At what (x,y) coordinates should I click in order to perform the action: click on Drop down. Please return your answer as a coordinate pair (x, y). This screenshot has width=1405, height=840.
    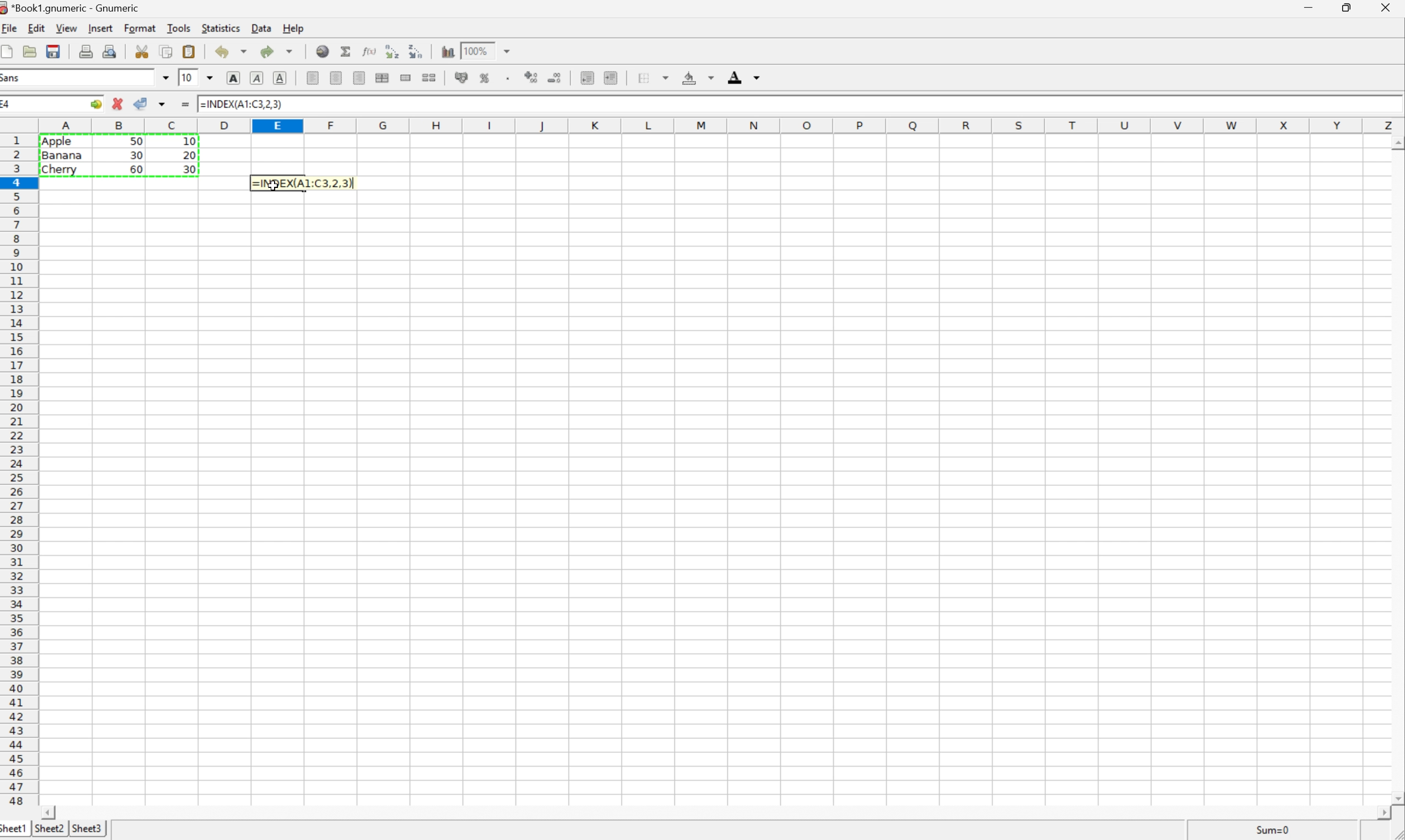
    Looking at the image, I should click on (509, 50).